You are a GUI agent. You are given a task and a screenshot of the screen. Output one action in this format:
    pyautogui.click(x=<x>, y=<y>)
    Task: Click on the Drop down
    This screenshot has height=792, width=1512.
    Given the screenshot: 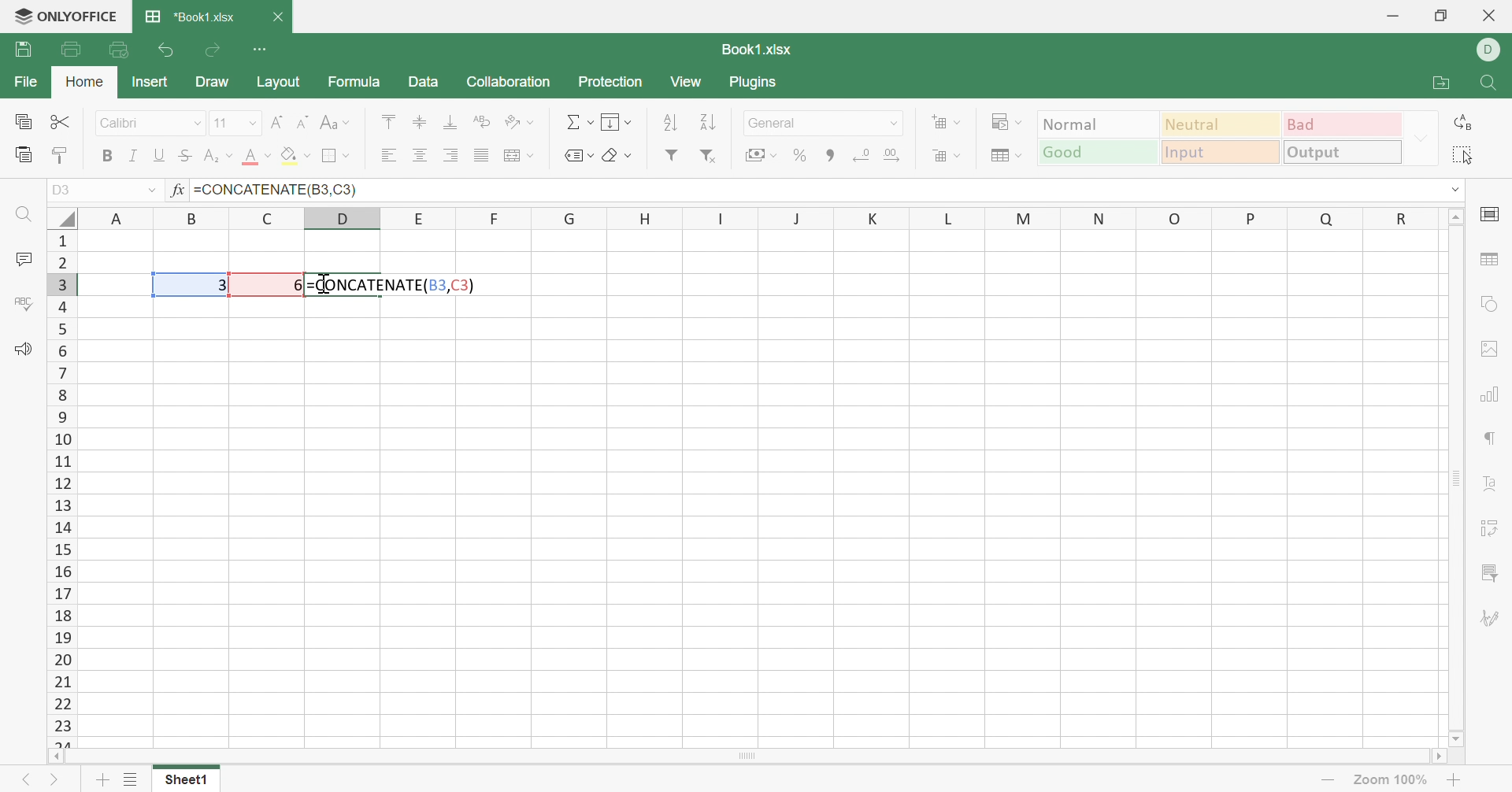 What is the action you would take?
    pyautogui.click(x=154, y=191)
    